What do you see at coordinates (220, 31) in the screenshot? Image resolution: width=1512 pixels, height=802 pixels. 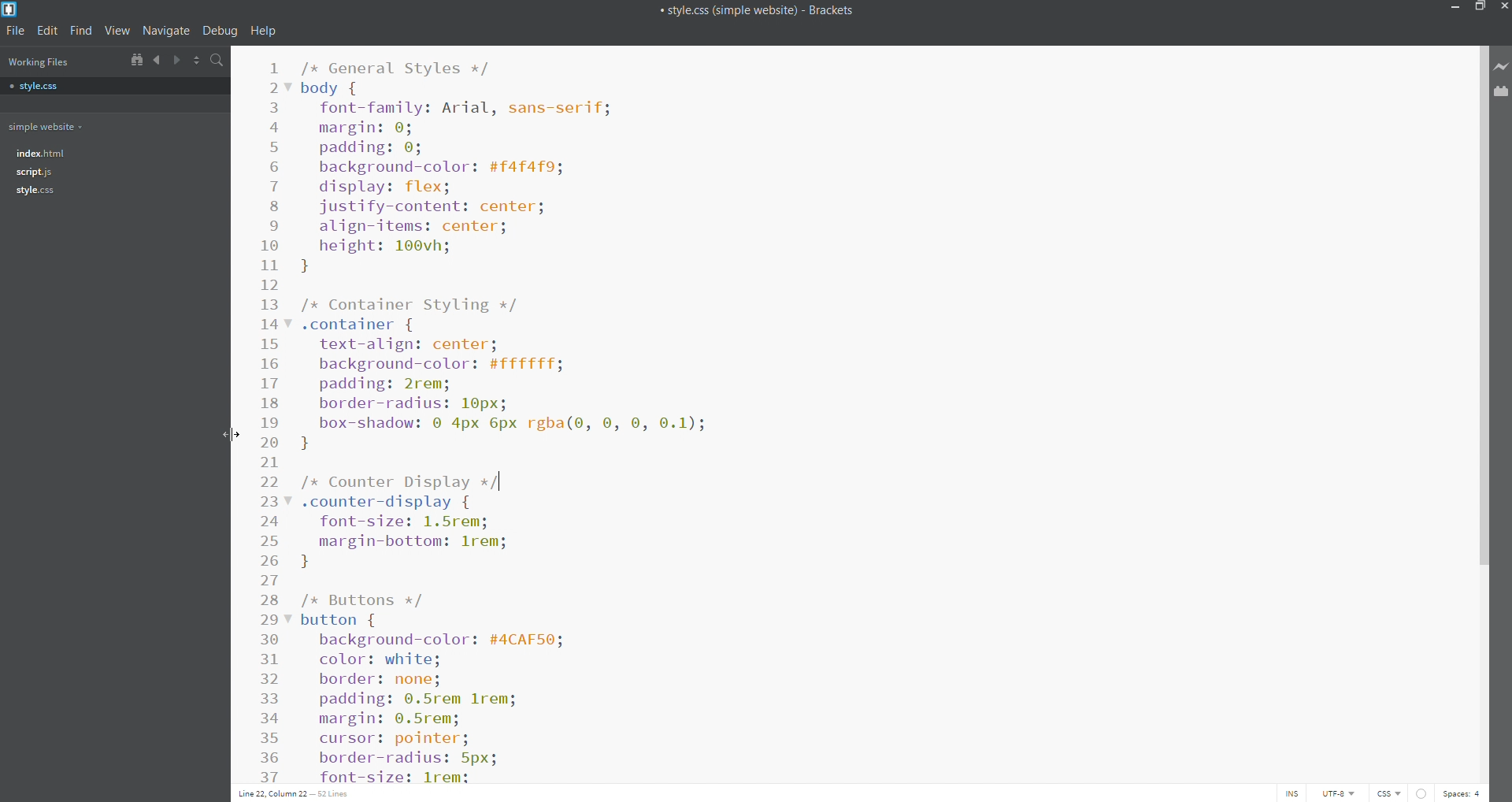 I see `debug` at bounding box center [220, 31].